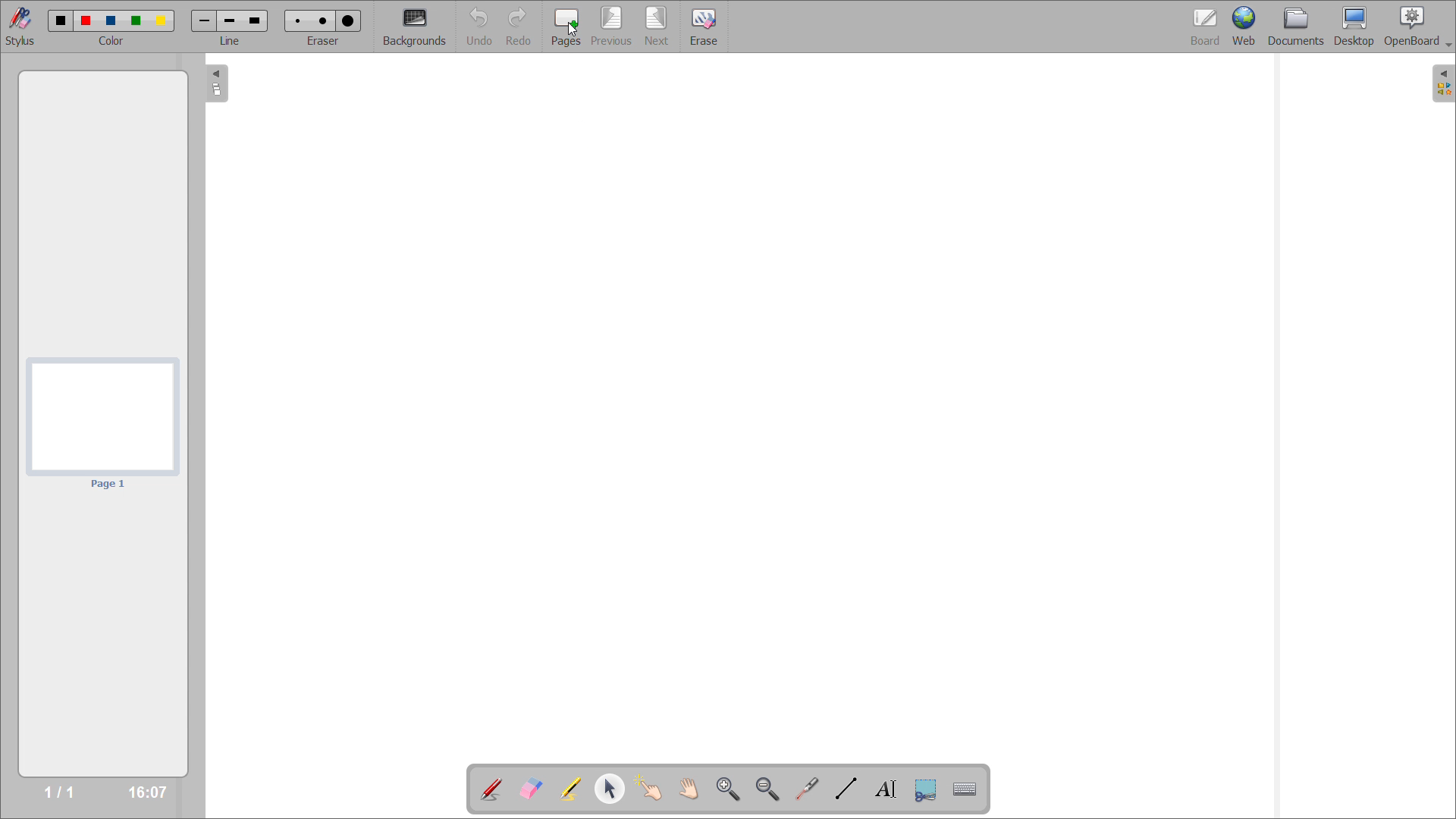  What do you see at coordinates (612, 27) in the screenshot?
I see `previous page` at bounding box center [612, 27].